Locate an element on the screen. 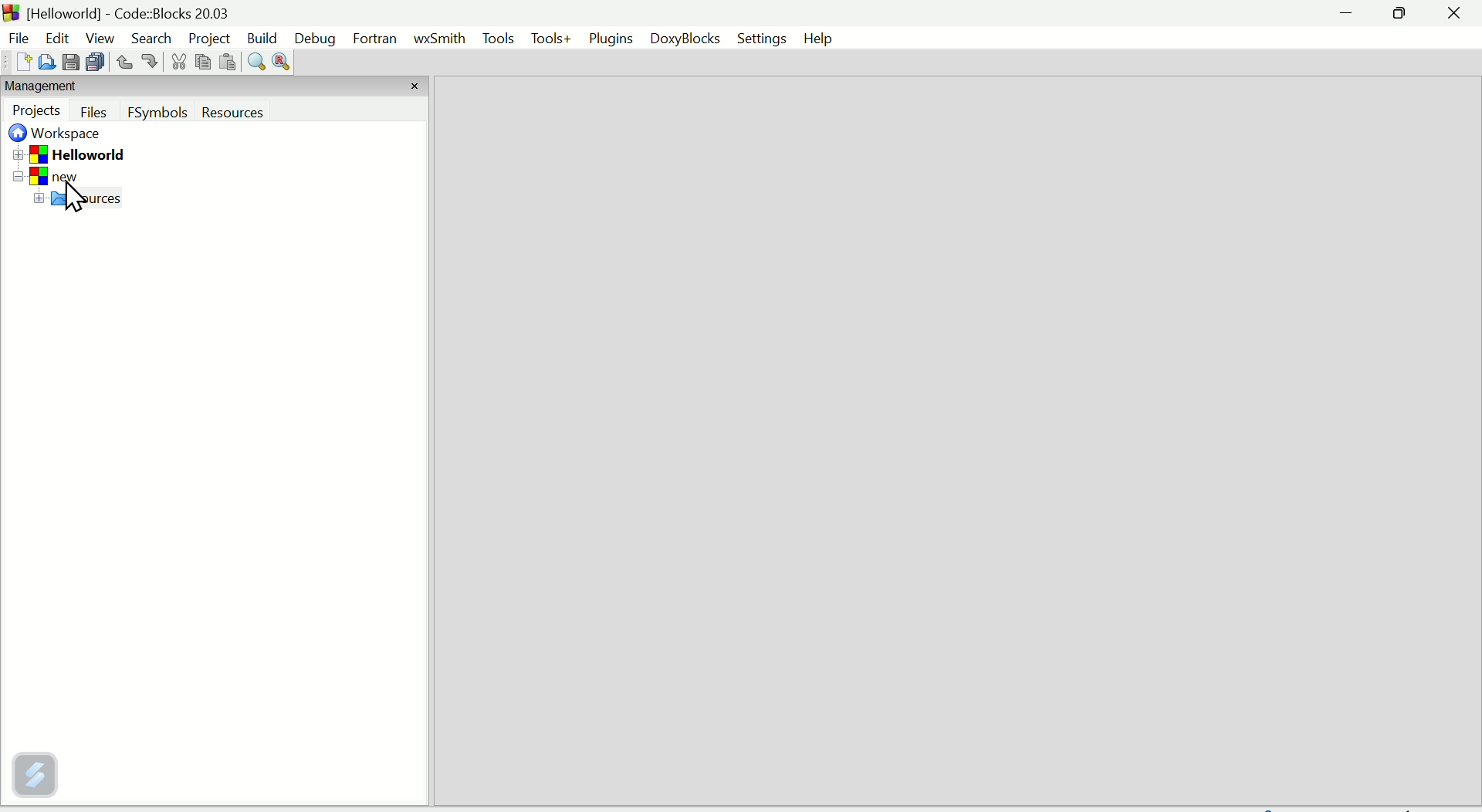 This screenshot has height=812, width=1482. File is located at coordinates (16, 36).